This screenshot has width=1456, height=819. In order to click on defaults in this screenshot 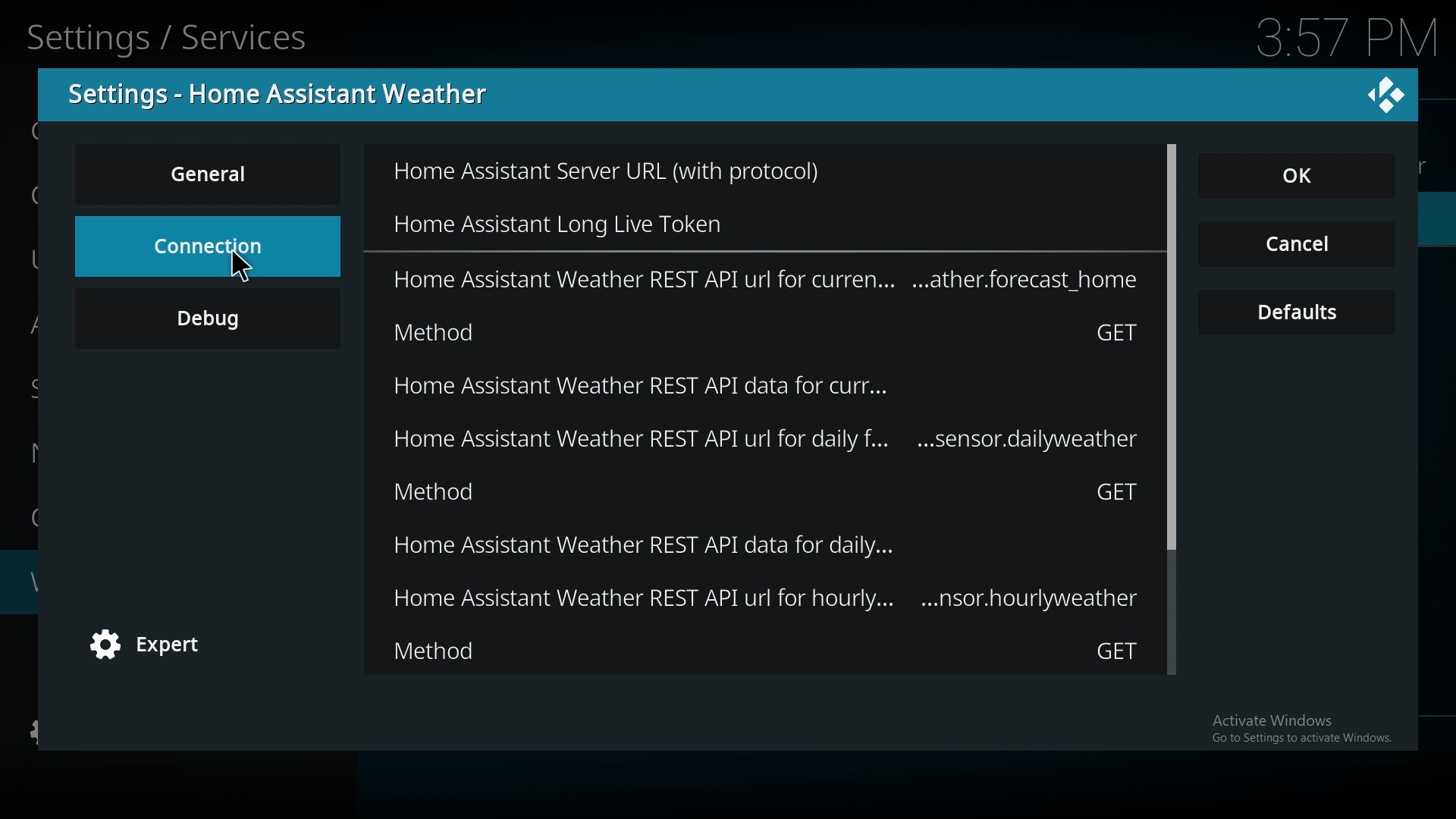, I will do `click(1298, 313)`.